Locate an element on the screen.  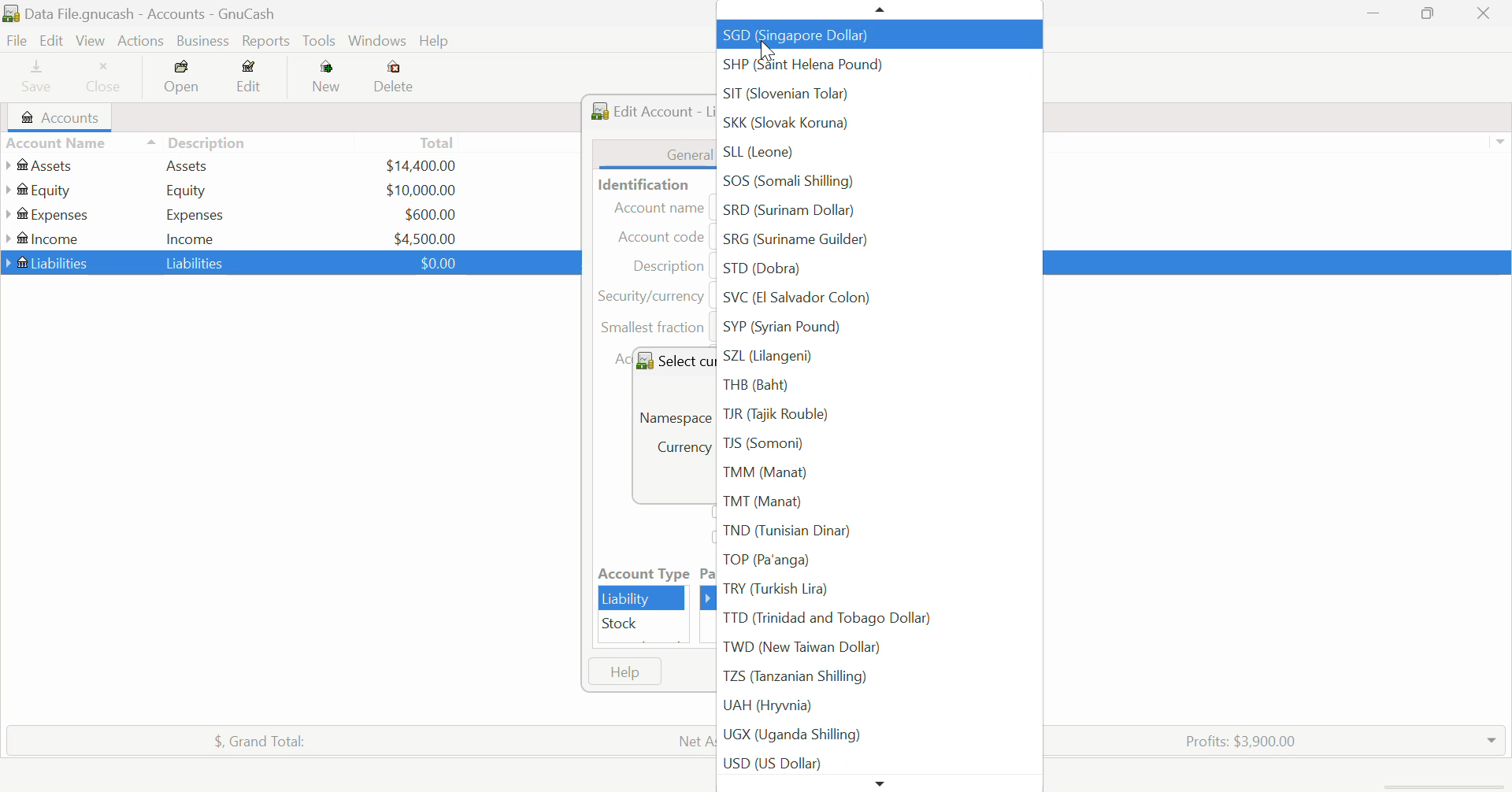
SHP is located at coordinates (880, 65).